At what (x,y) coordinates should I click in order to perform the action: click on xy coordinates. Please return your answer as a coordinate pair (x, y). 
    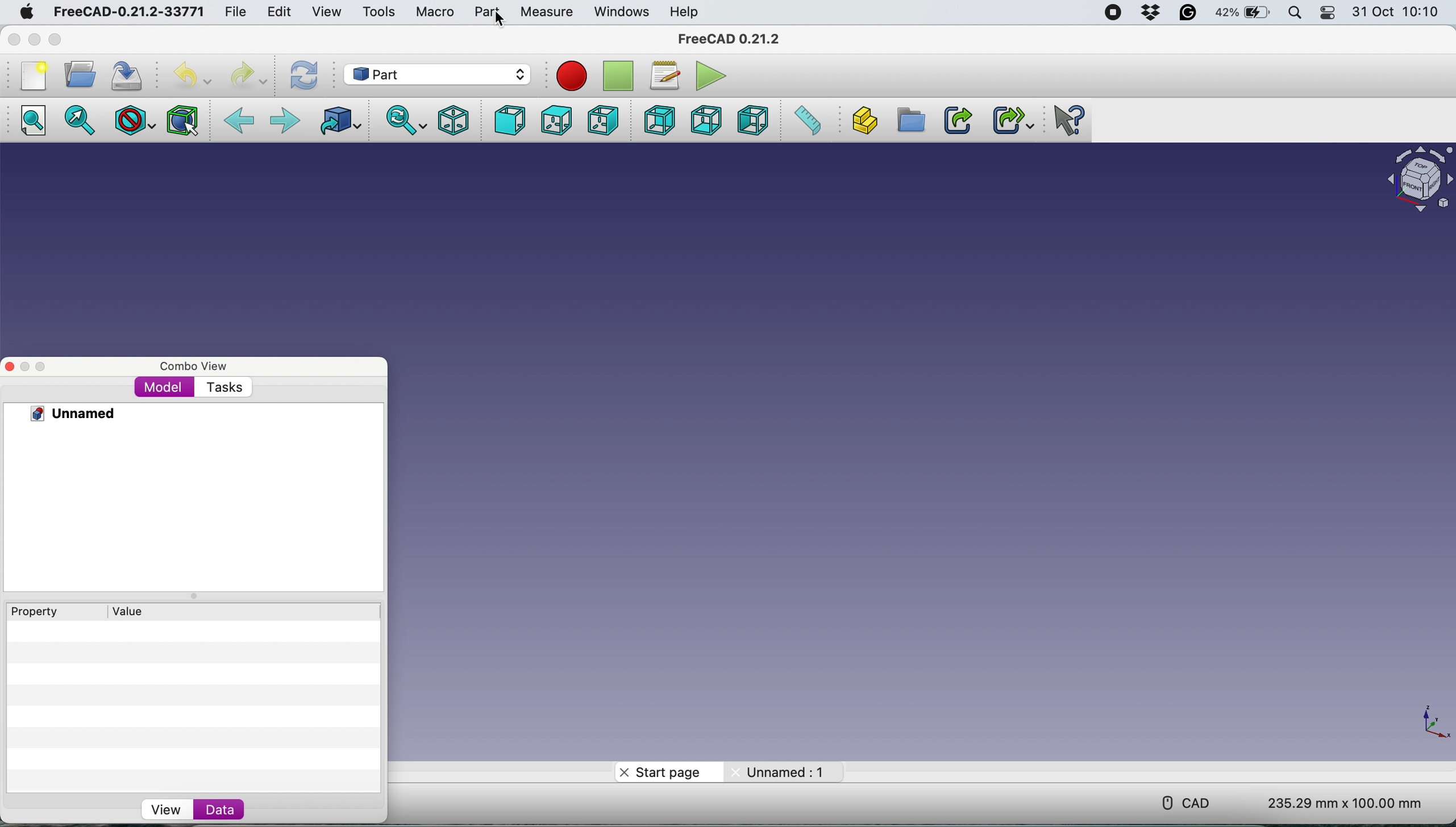
    Looking at the image, I should click on (1430, 722).